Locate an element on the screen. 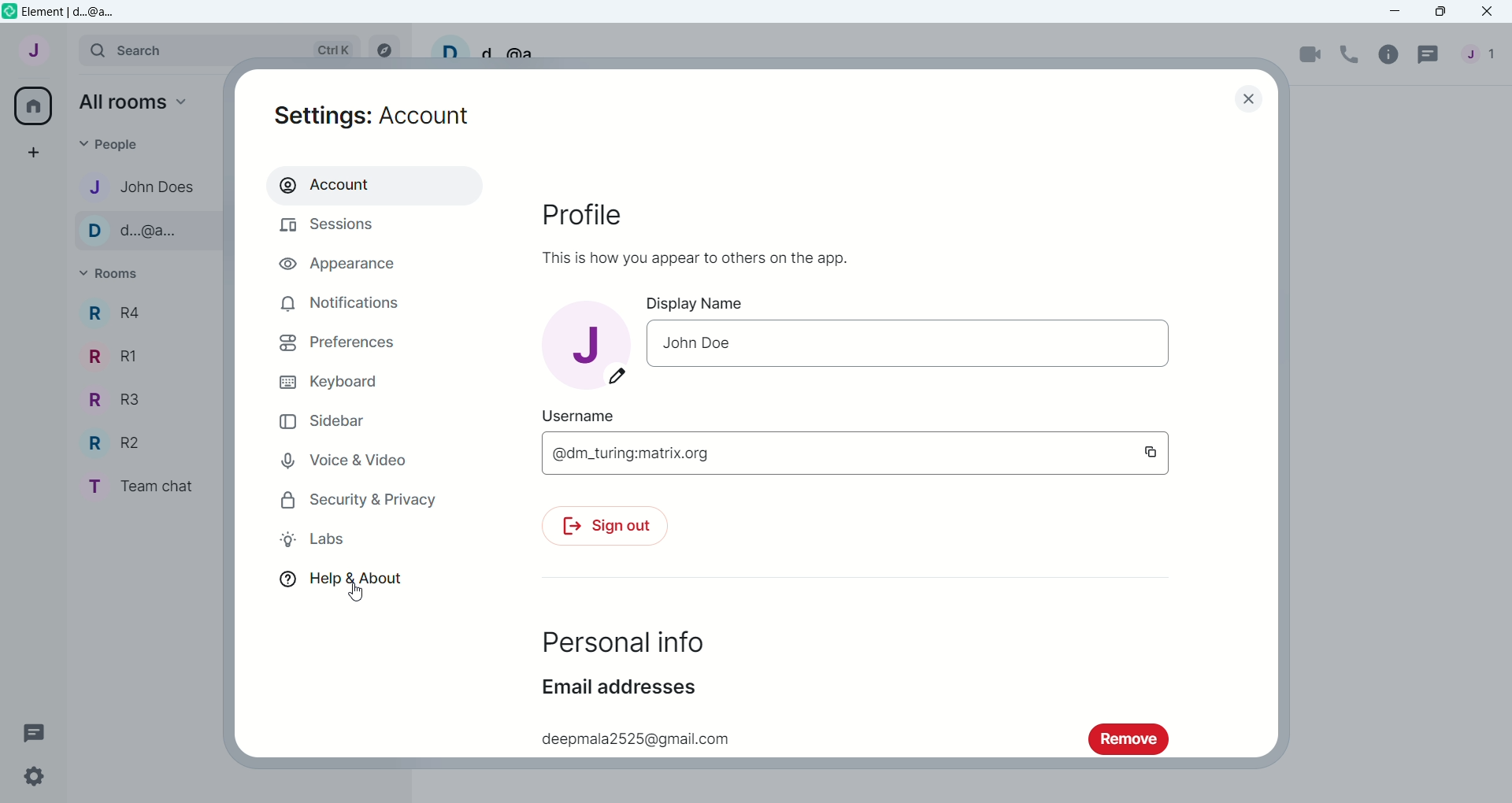 The width and height of the screenshot is (1512, 803). Keyboard is located at coordinates (328, 383).